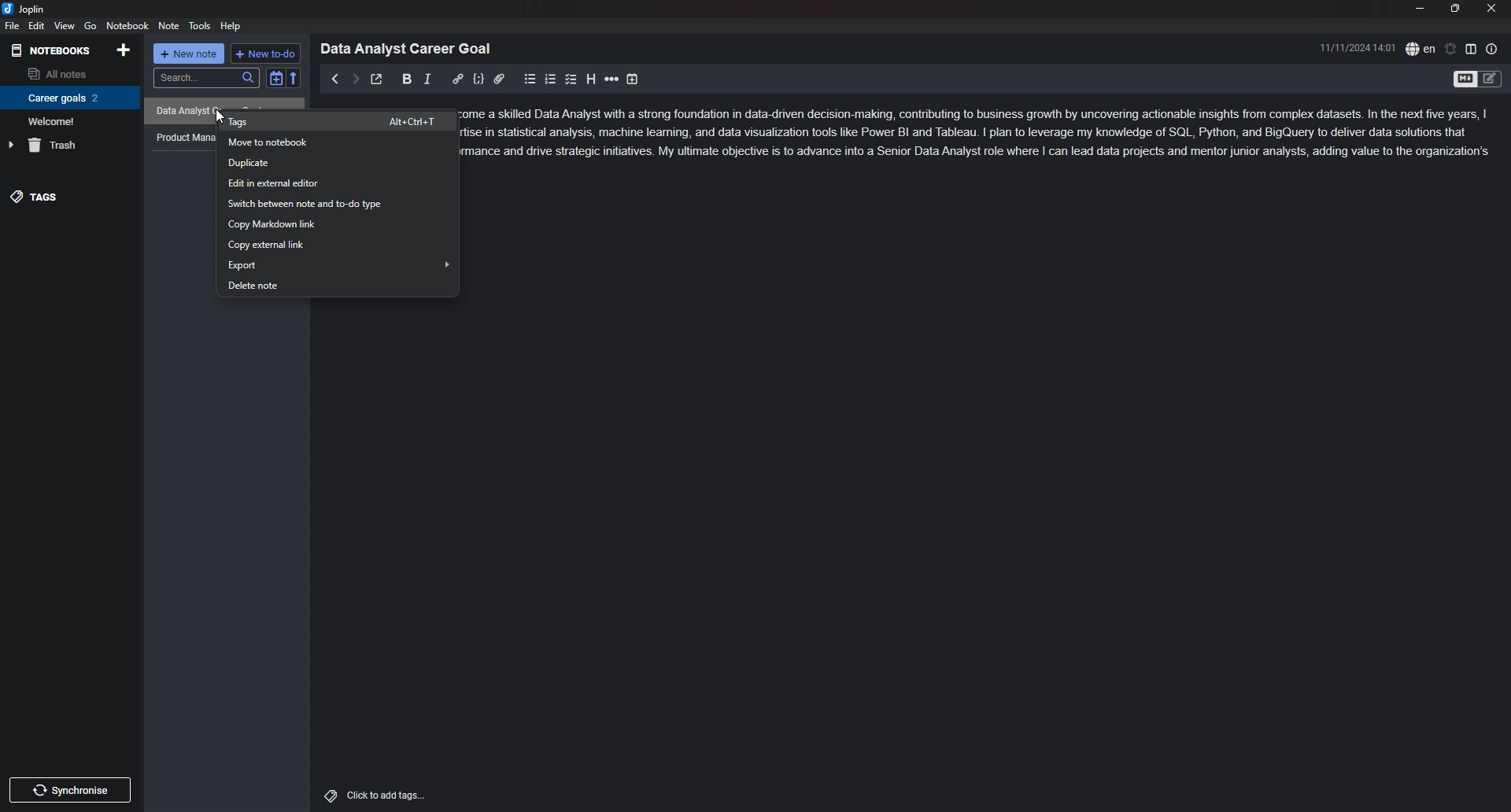 This screenshot has width=1511, height=812. I want to click on note properties, so click(1492, 49).